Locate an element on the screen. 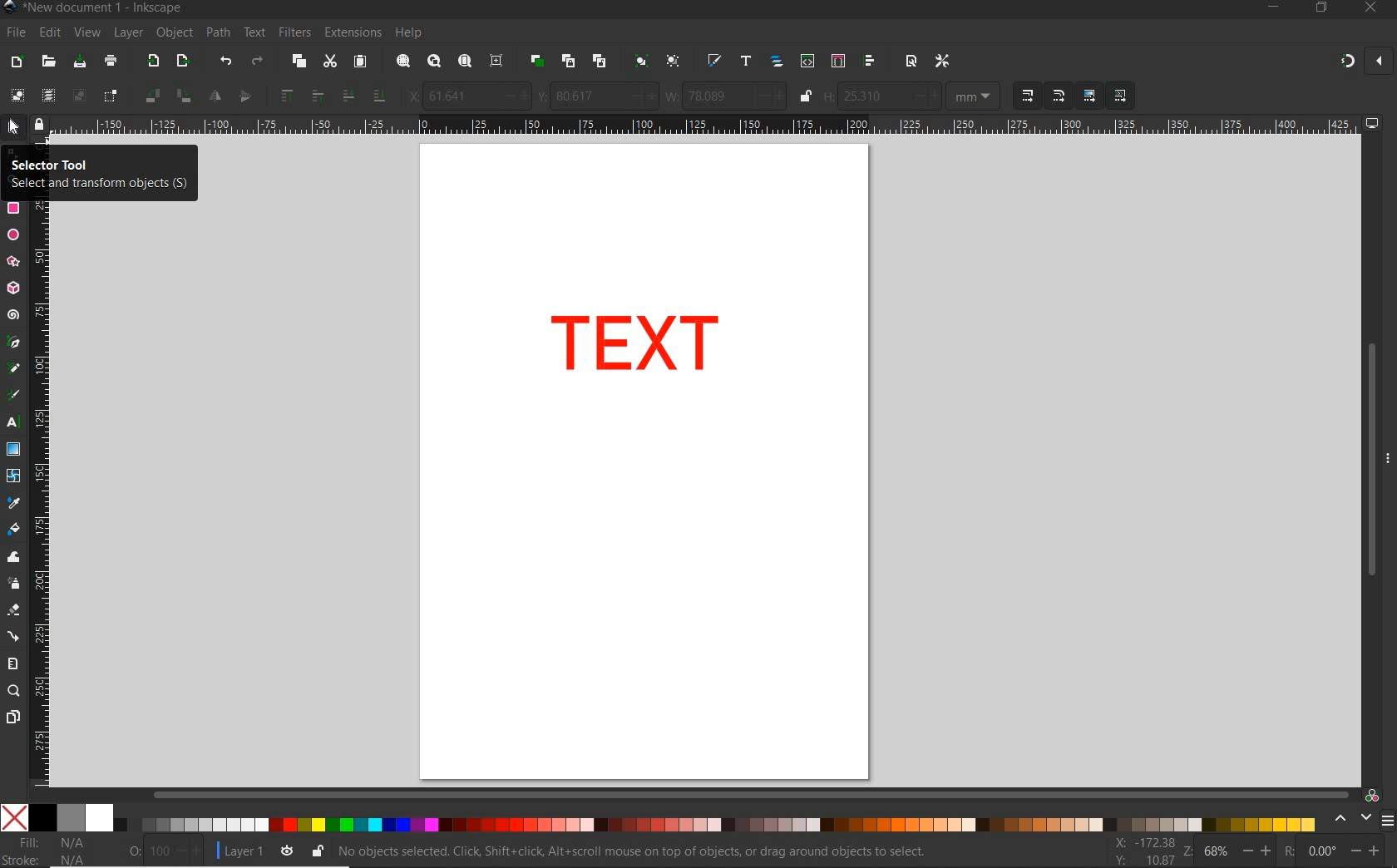 The width and height of the screenshot is (1397, 868). duplicate is located at coordinates (537, 61).